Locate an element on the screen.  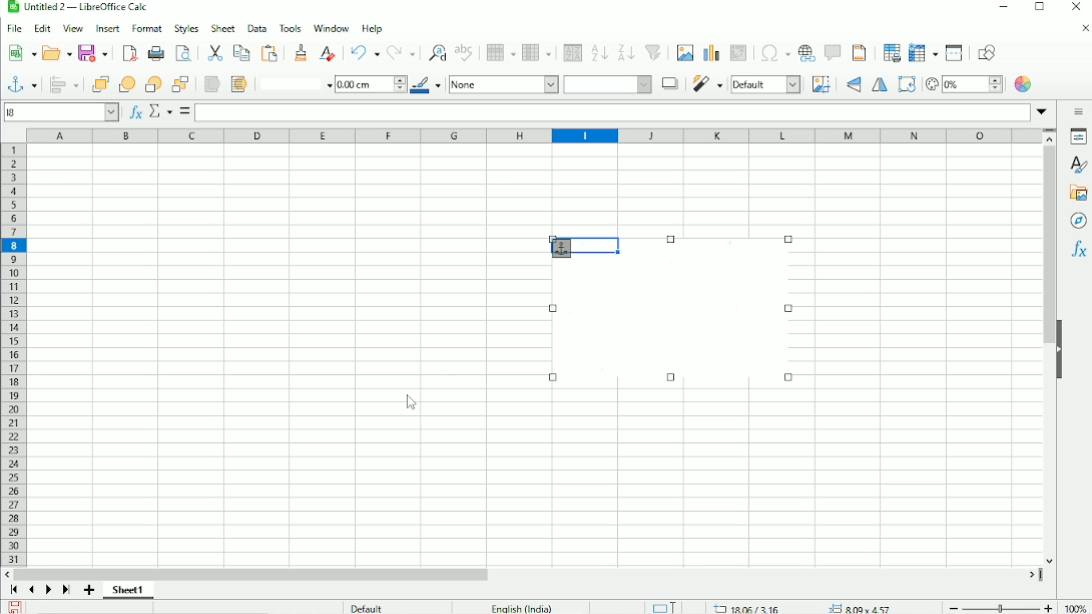
Sheet1 is located at coordinates (134, 590).